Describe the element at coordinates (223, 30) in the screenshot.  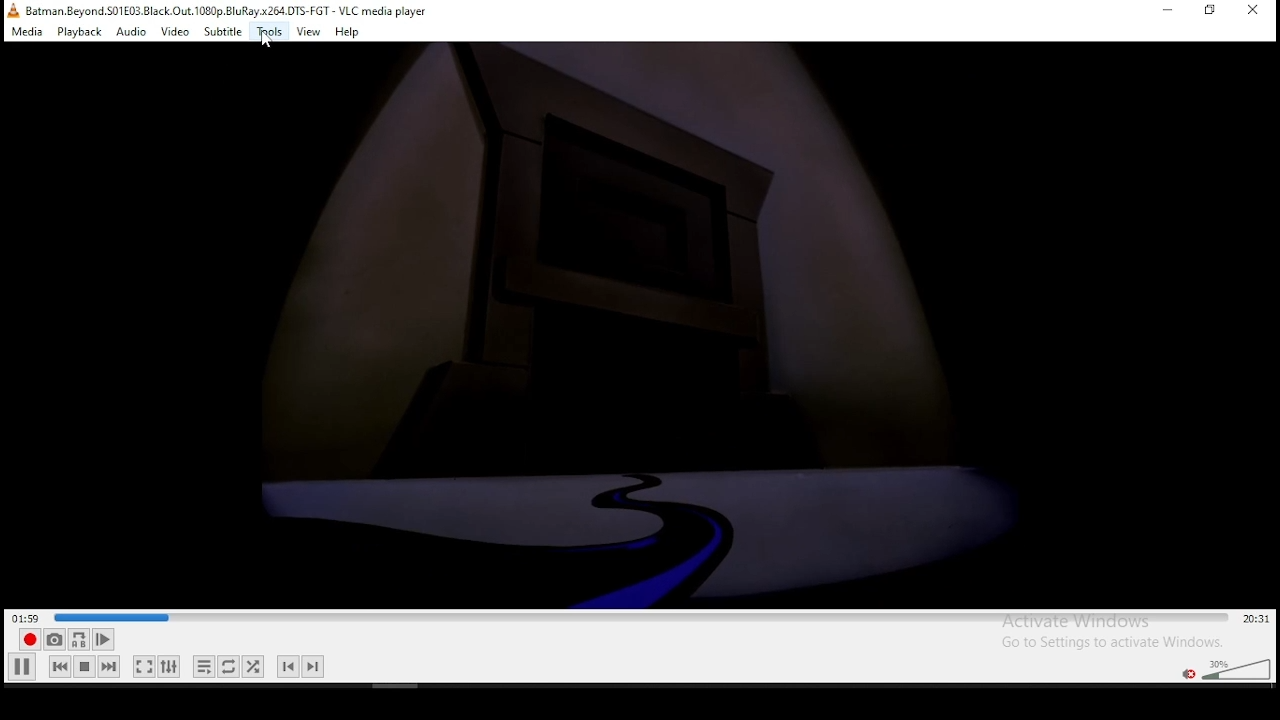
I see `subtitle` at that location.